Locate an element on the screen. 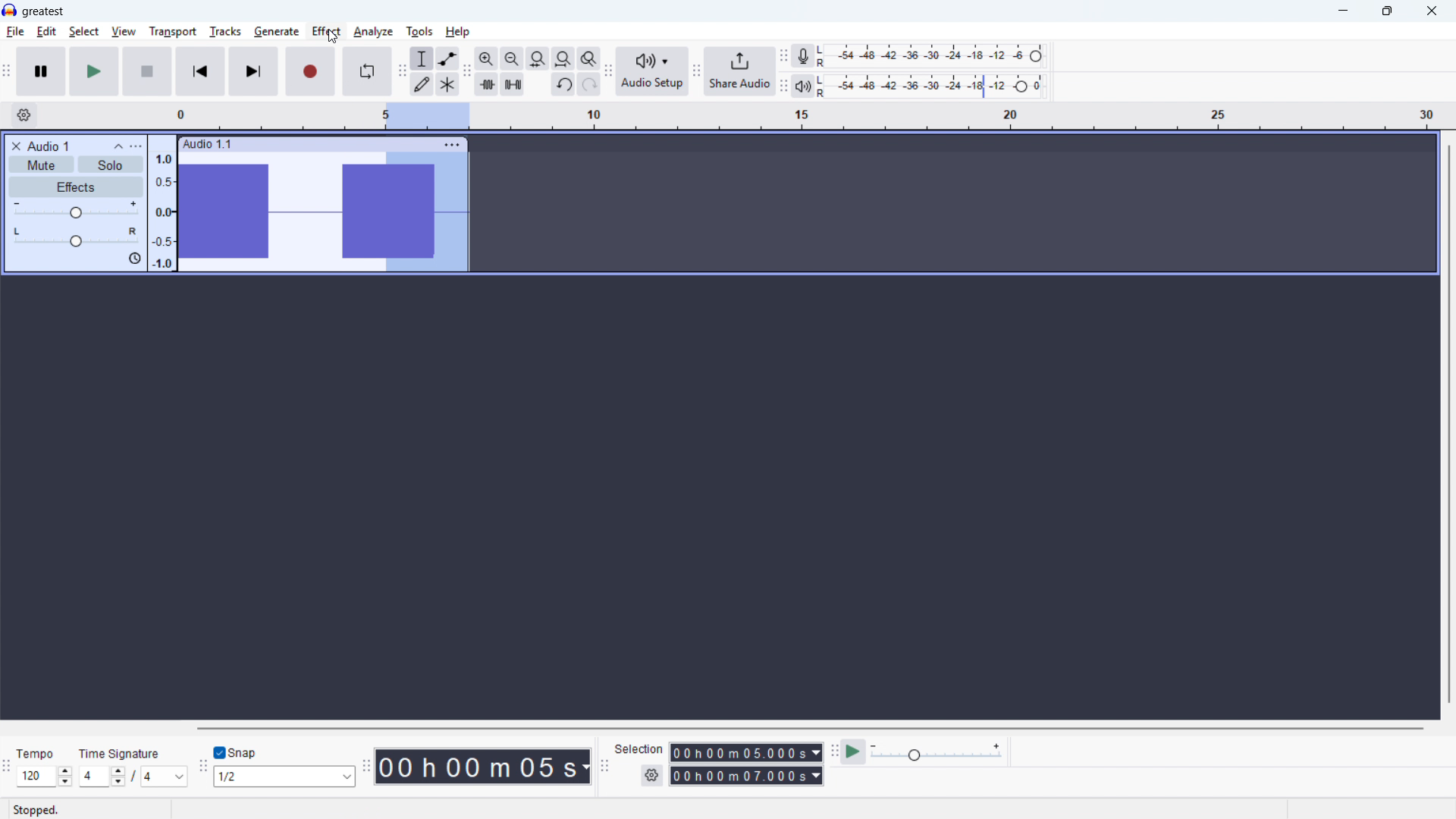 Image resolution: width=1456 pixels, height=819 pixels. Part of the audio being selected is located at coordinates (427, 212).